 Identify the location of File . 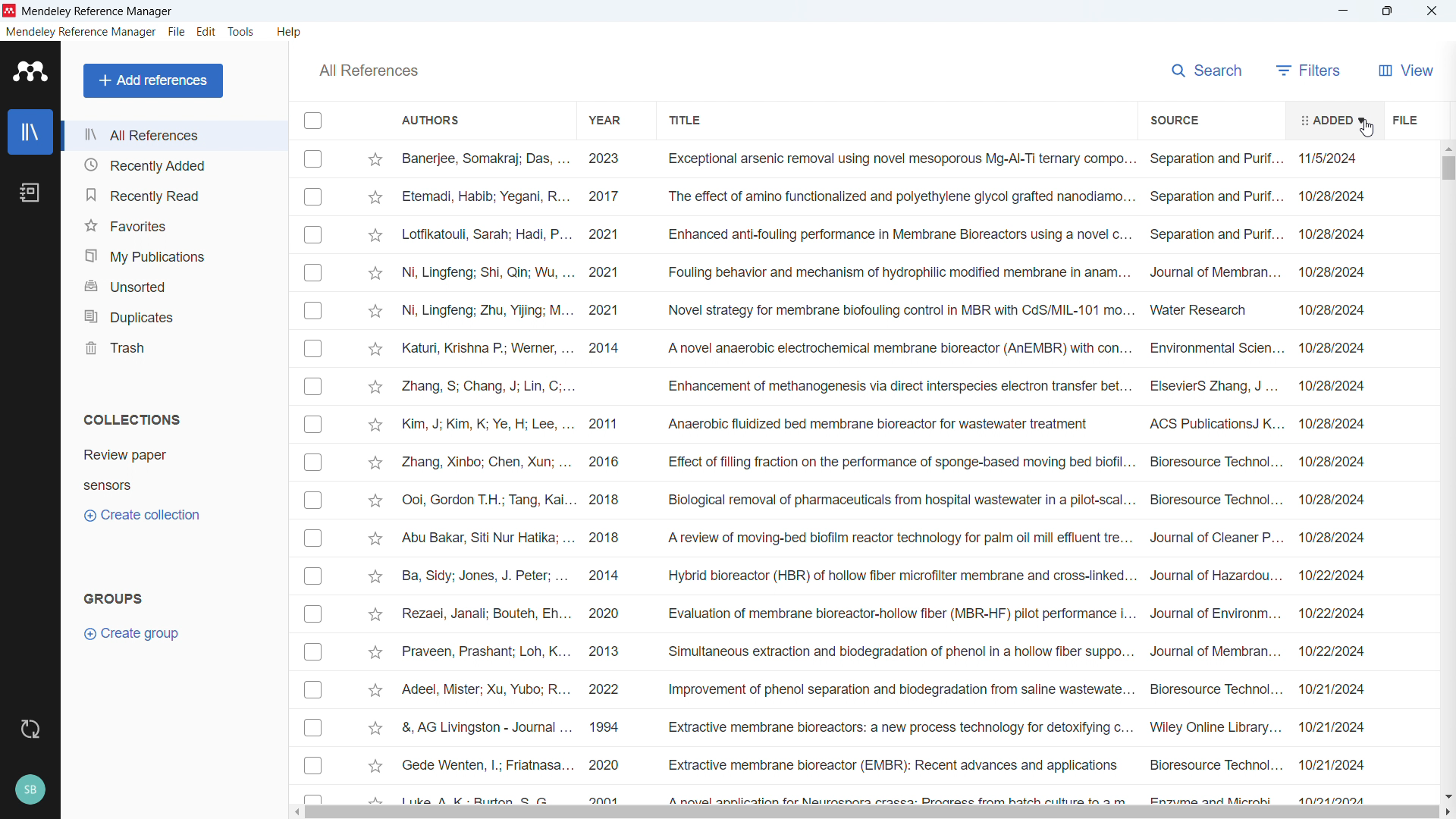
(1407, 118).